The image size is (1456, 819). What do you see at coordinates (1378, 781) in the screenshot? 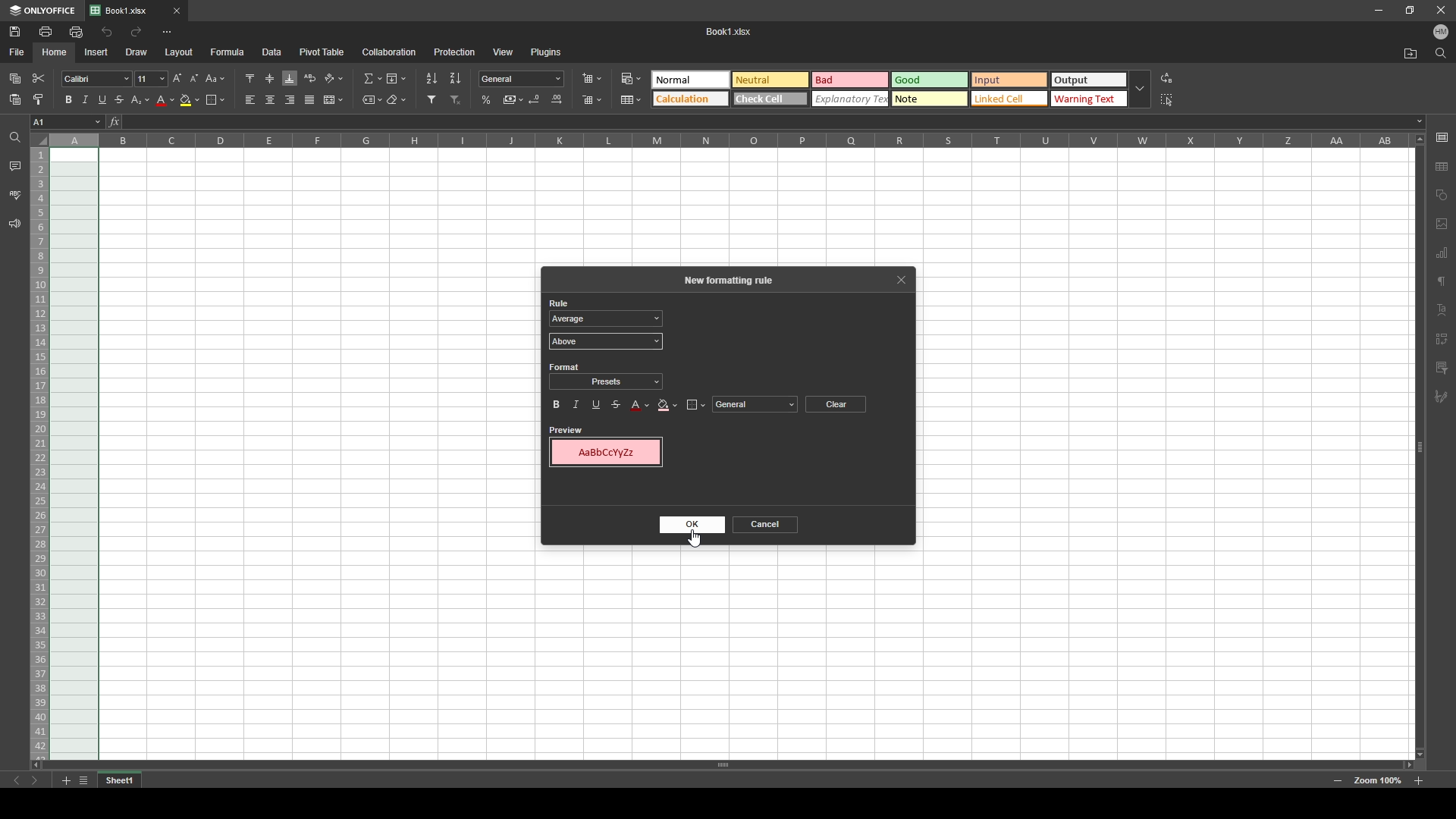
I see `zoom` at bounding box center [1378, 781].